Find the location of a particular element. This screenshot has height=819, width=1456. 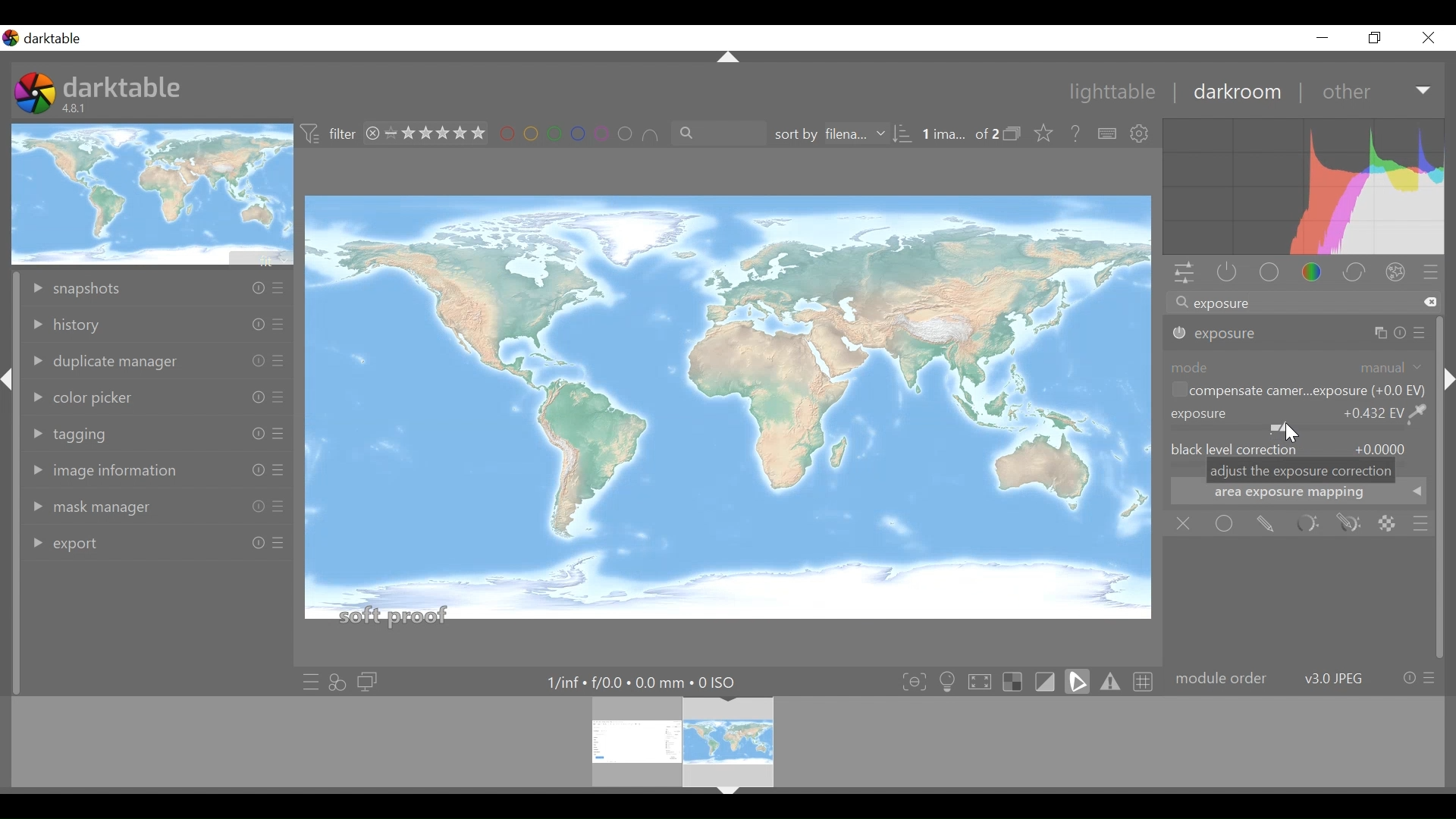

automatically remove the camera bias is located at coordinates (1296, 392).